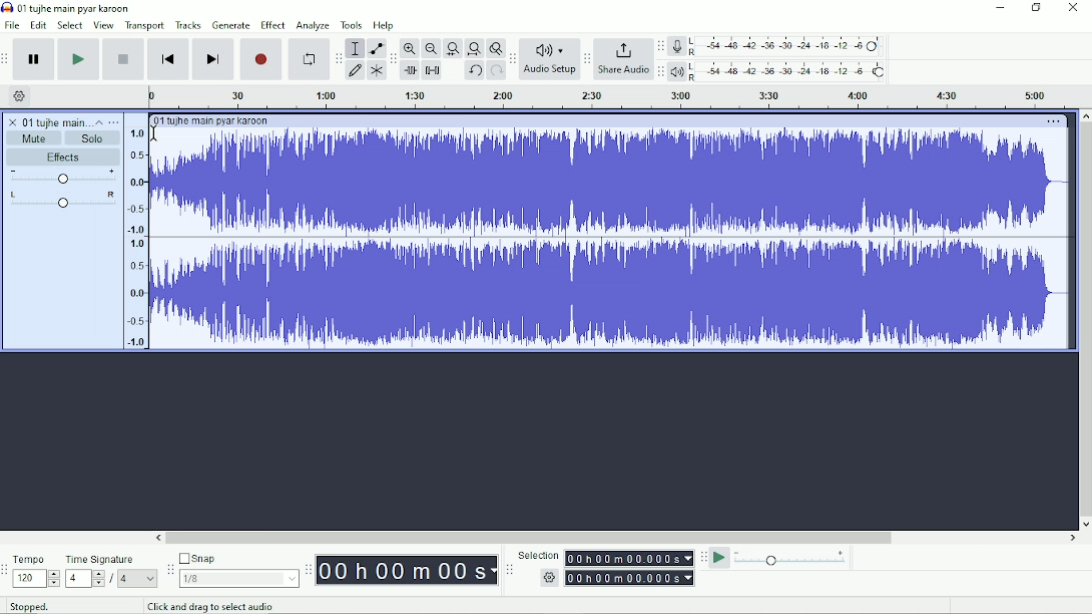  I want to click on Pan, so click(63, 200).